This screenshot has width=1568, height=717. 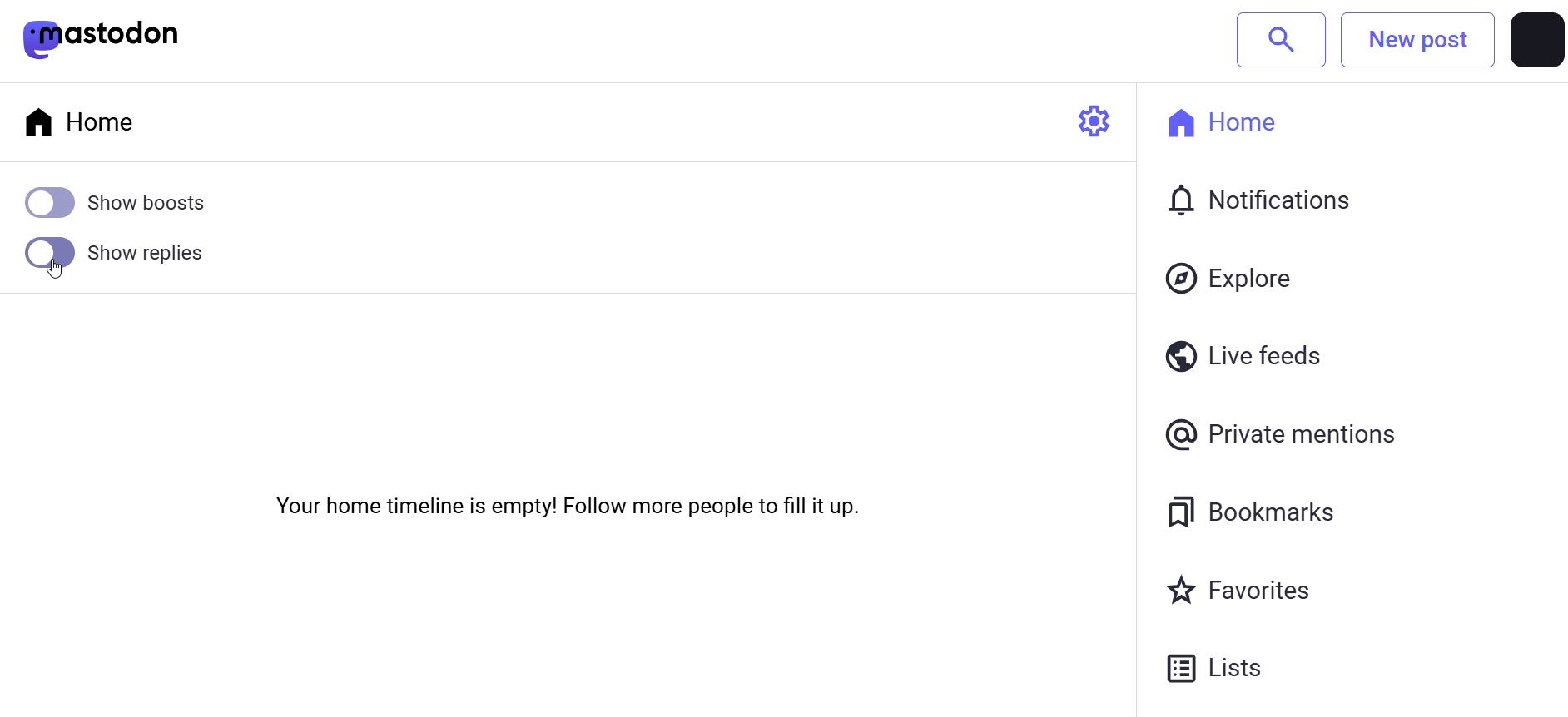 I want to click on notification, so click(x=1266, y=202).